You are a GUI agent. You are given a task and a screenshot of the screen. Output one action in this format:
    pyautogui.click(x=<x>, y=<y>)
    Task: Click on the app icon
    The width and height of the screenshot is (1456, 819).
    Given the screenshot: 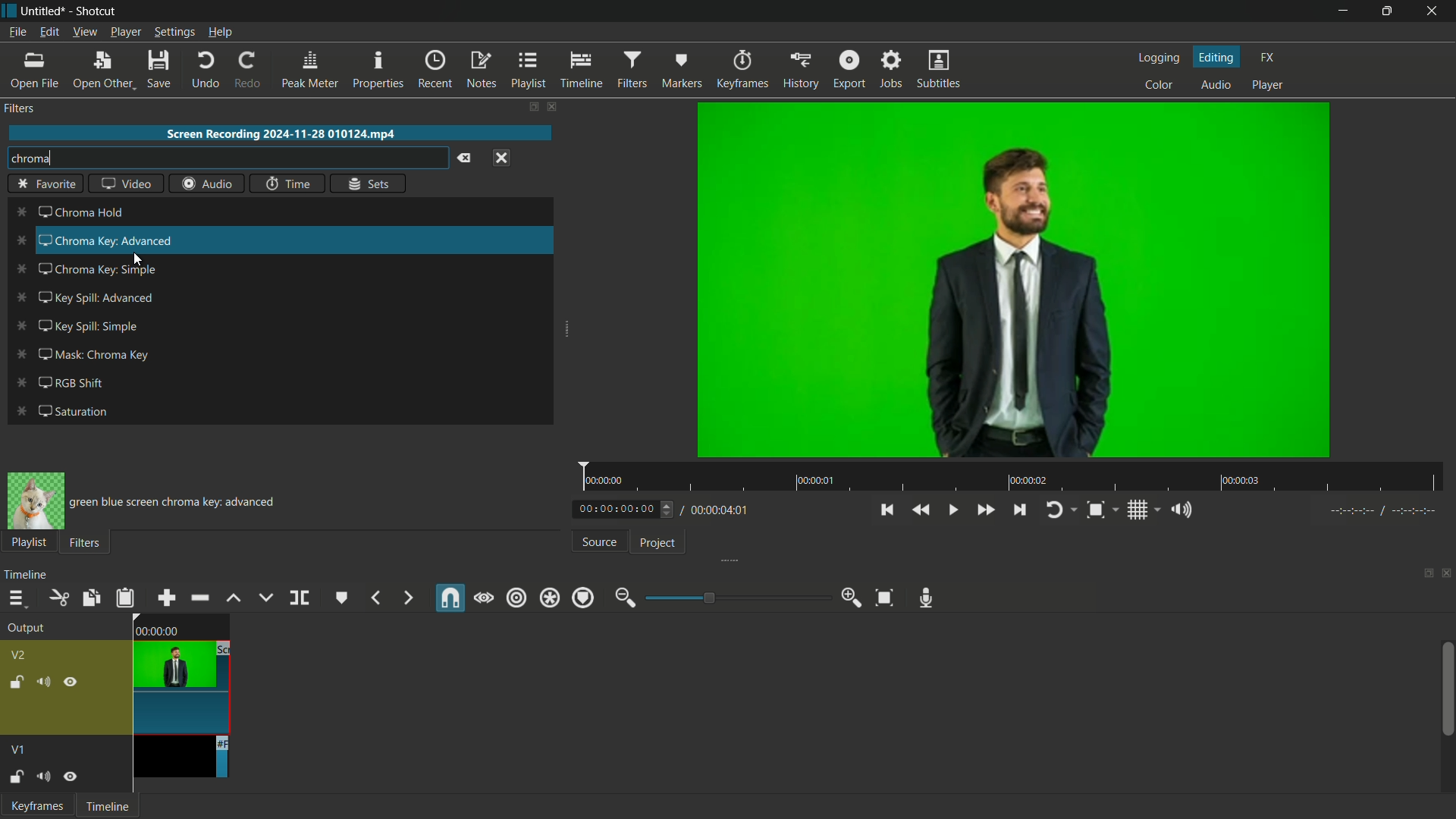 What is the action you would take?
    pyautogui.click(x=9, y=11)
    